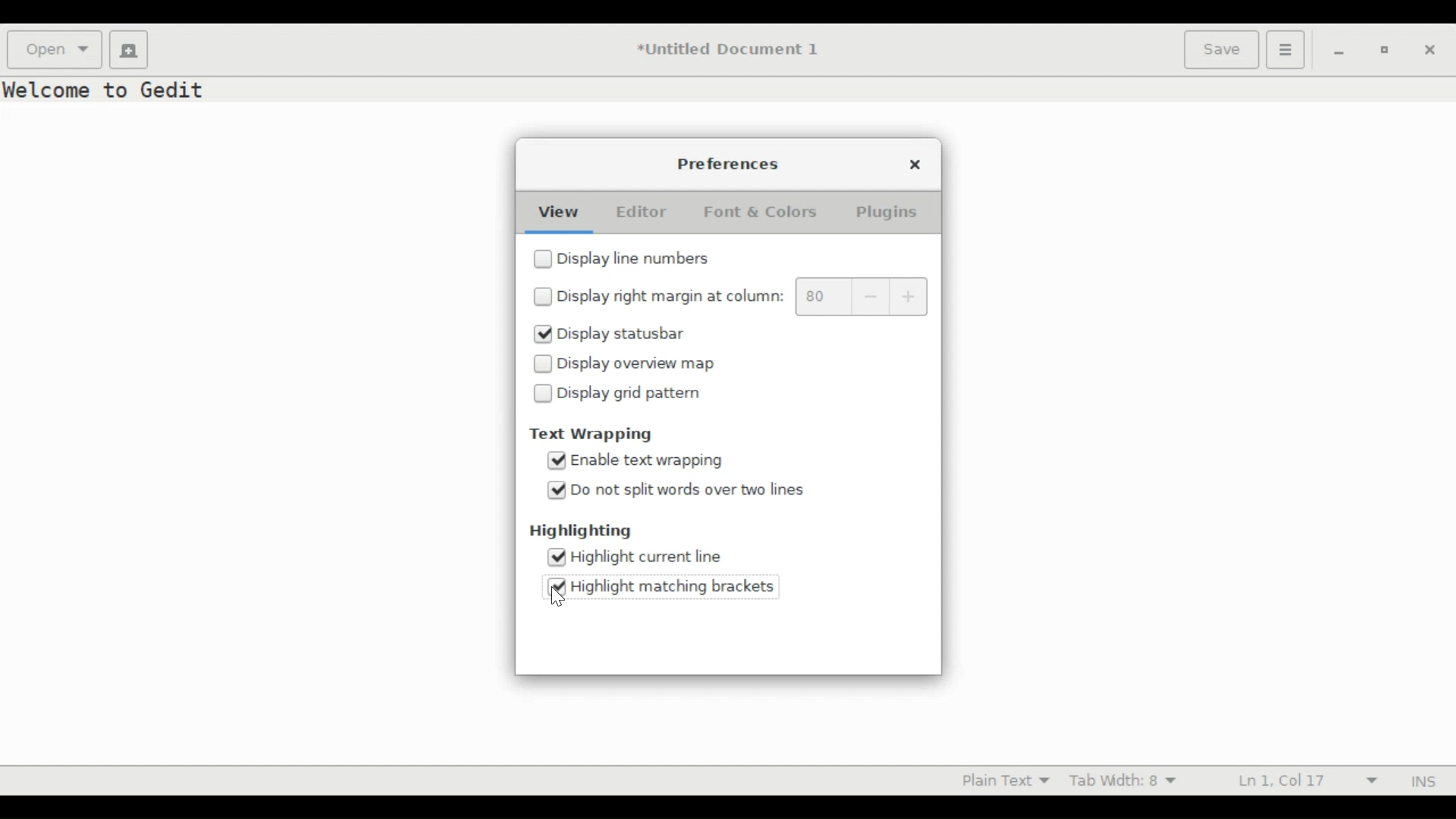 The image size is (1456, 819). Describe the element at coordinates (1382, 49) in the screenshot. I see `Restore` at that location.